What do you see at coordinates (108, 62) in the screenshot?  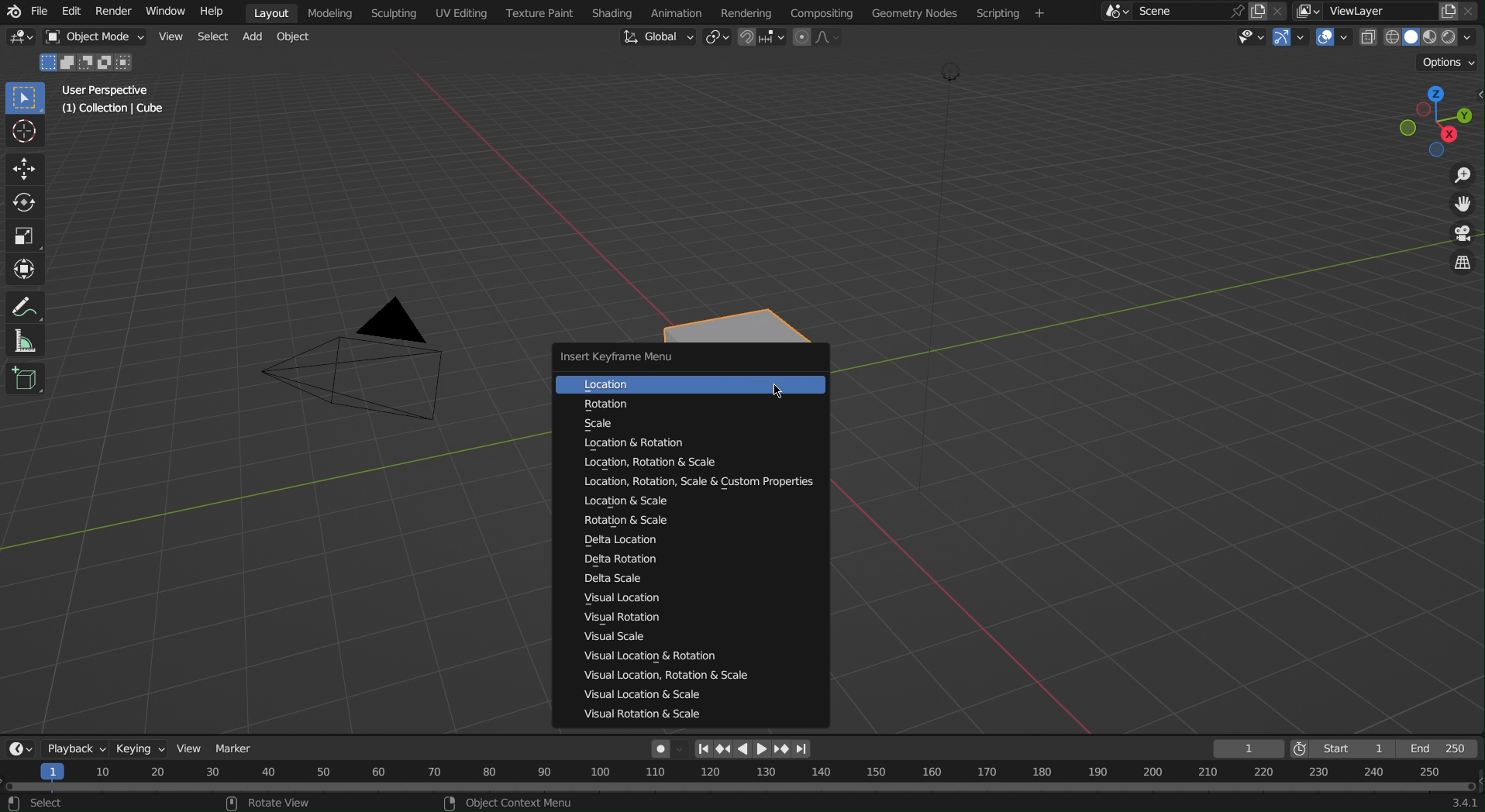 I see `merge with no common thing` at bounding box center [108, 62].